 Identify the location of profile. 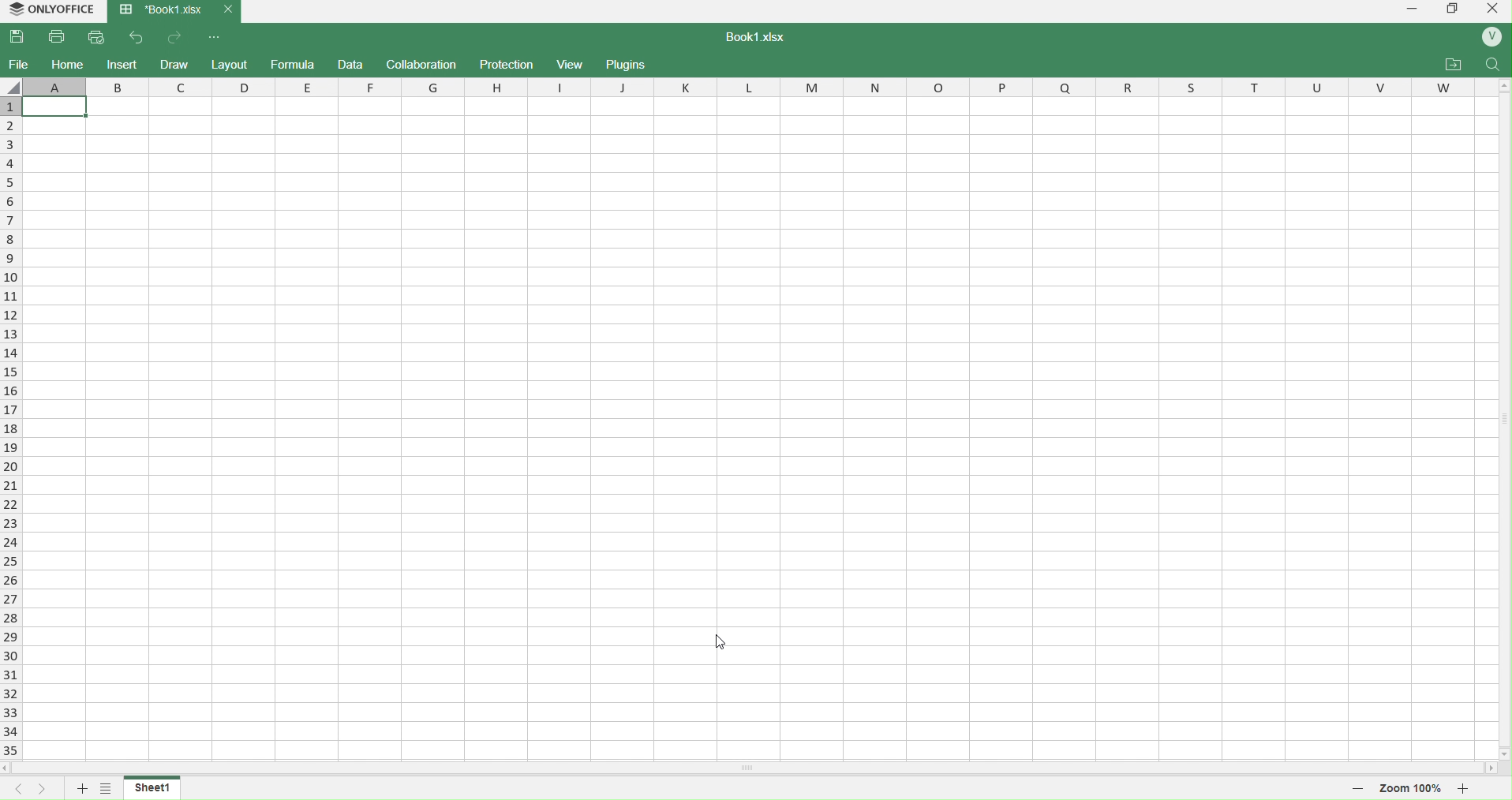
(1491, 38).